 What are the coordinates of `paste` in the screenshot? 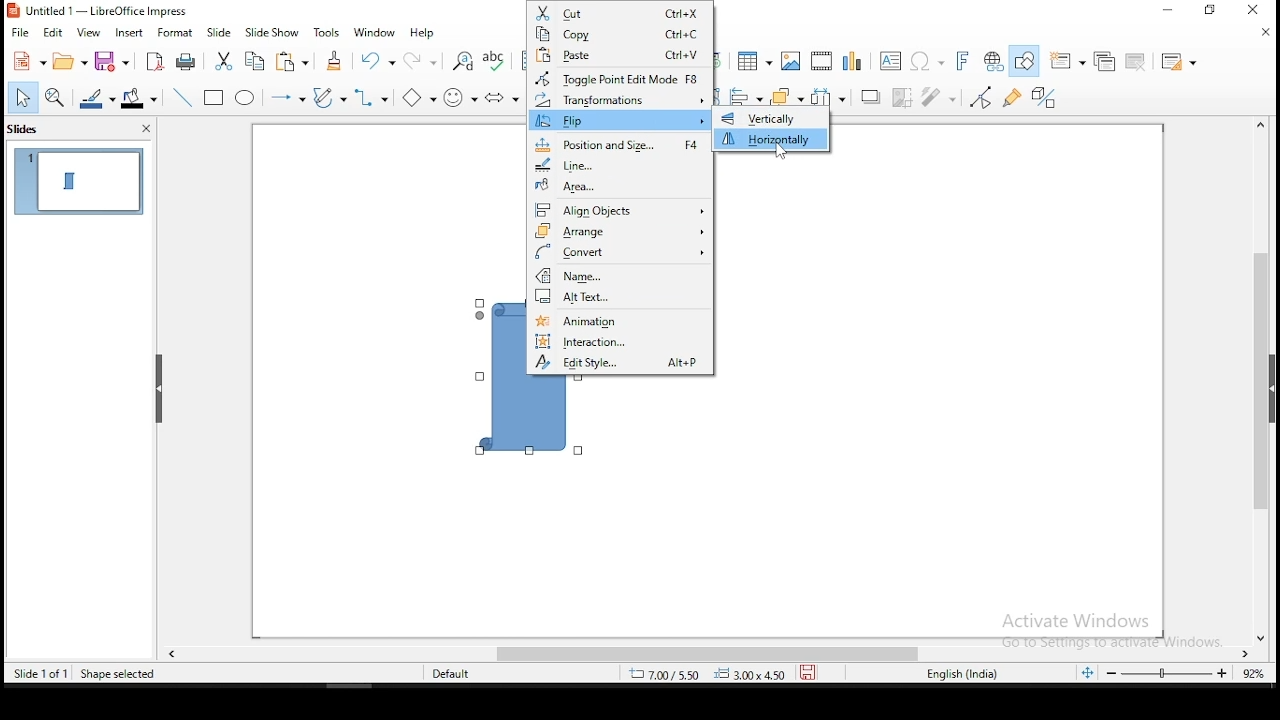 It's located at (295, 62).